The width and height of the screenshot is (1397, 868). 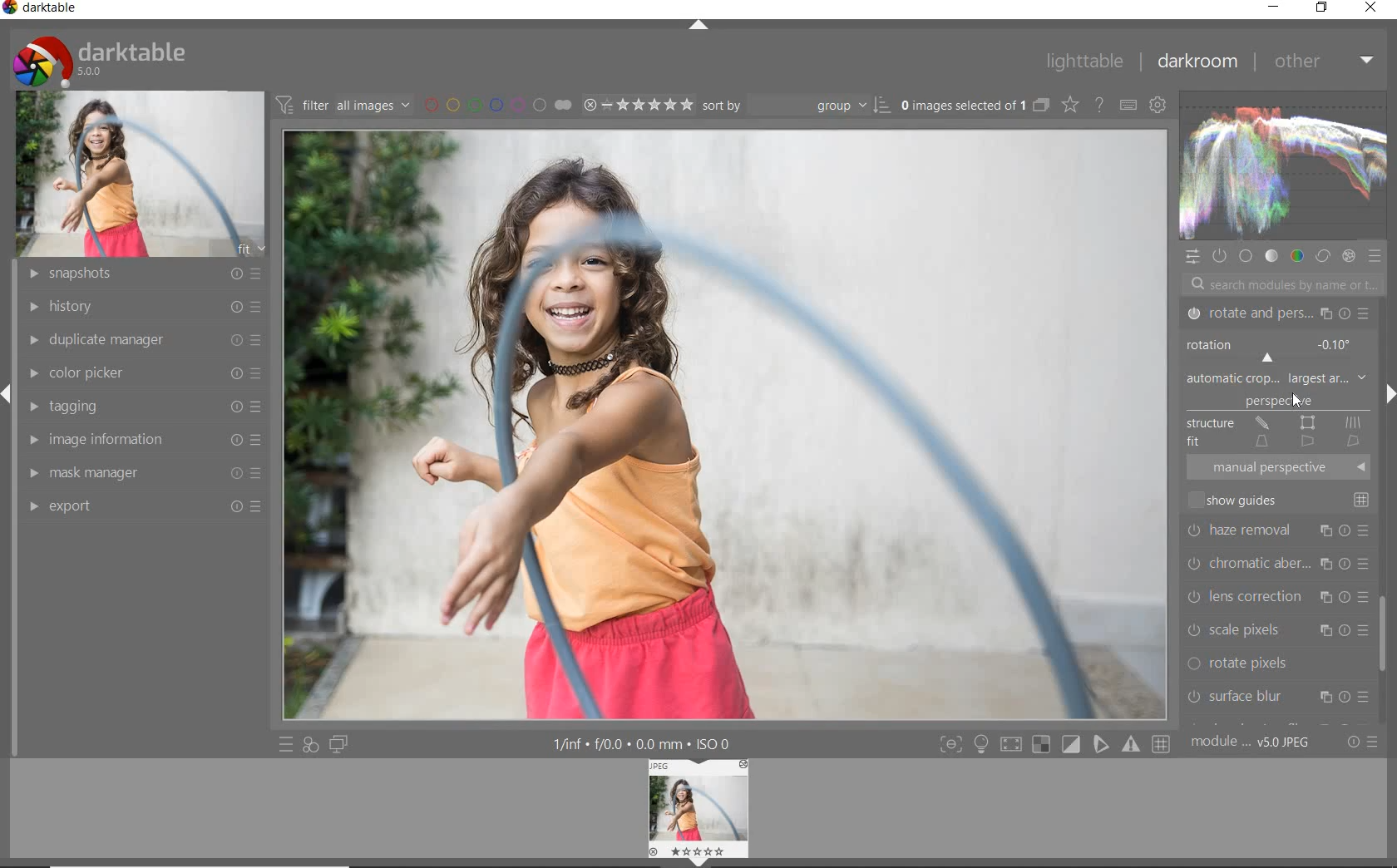 What do you see at coordinates (797, 104) in the screenshot?
I see `sort` at bounding box center [797, 104].